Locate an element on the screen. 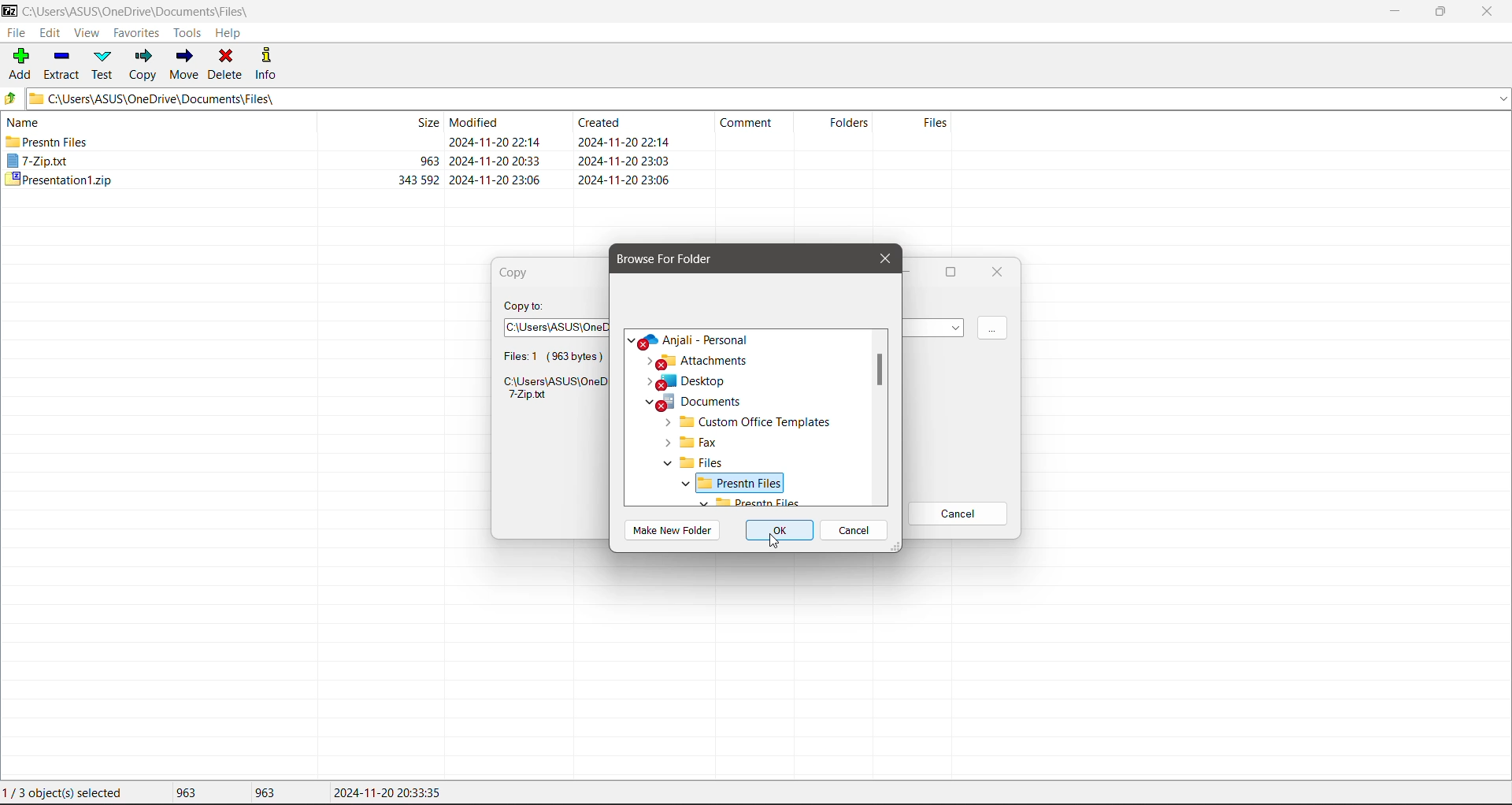 The image size is (1512, 805). Files is located at coordinates (917, 131).